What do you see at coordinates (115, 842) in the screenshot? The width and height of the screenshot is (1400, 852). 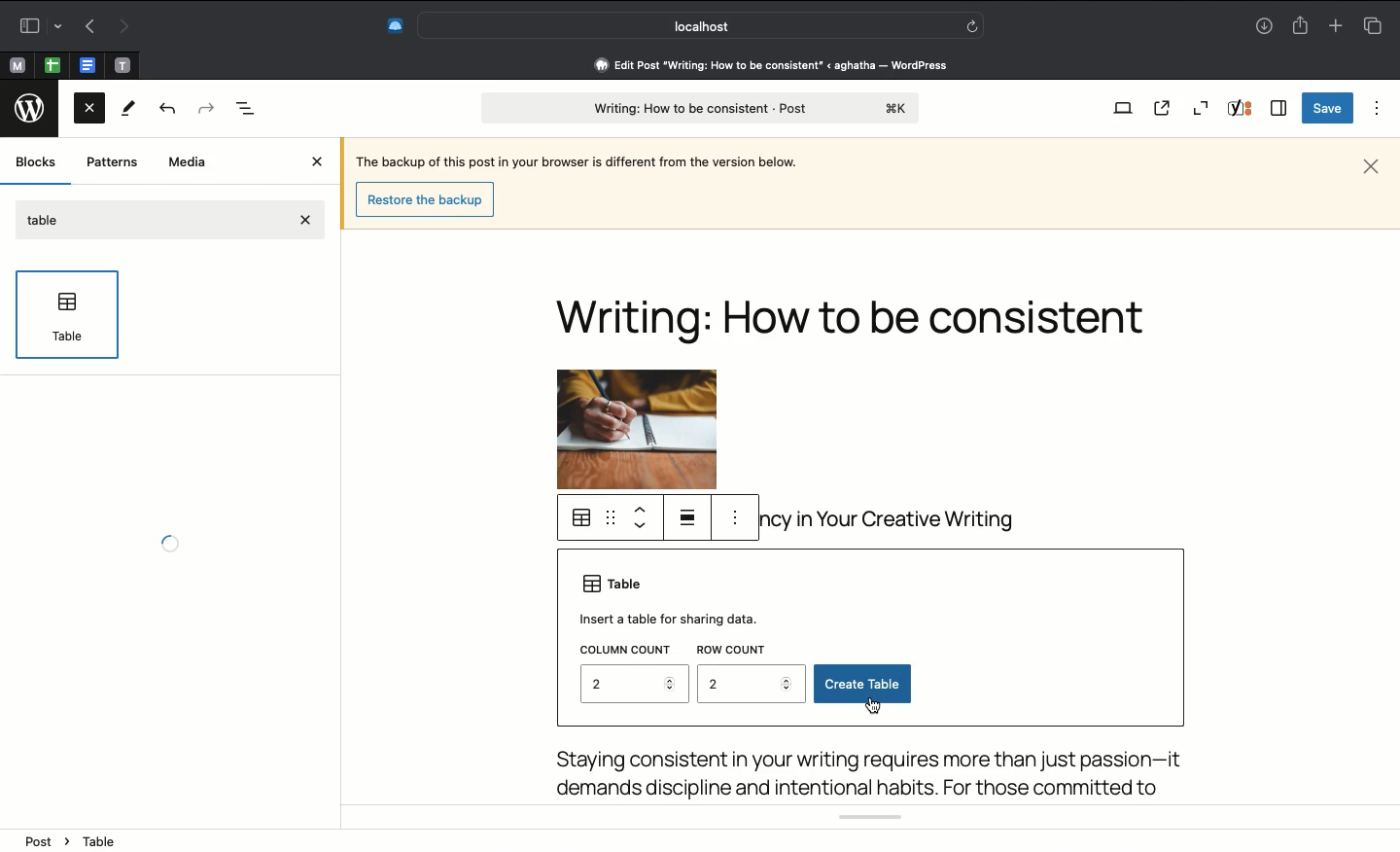 I see `heading` at bounding box center [115, 842].